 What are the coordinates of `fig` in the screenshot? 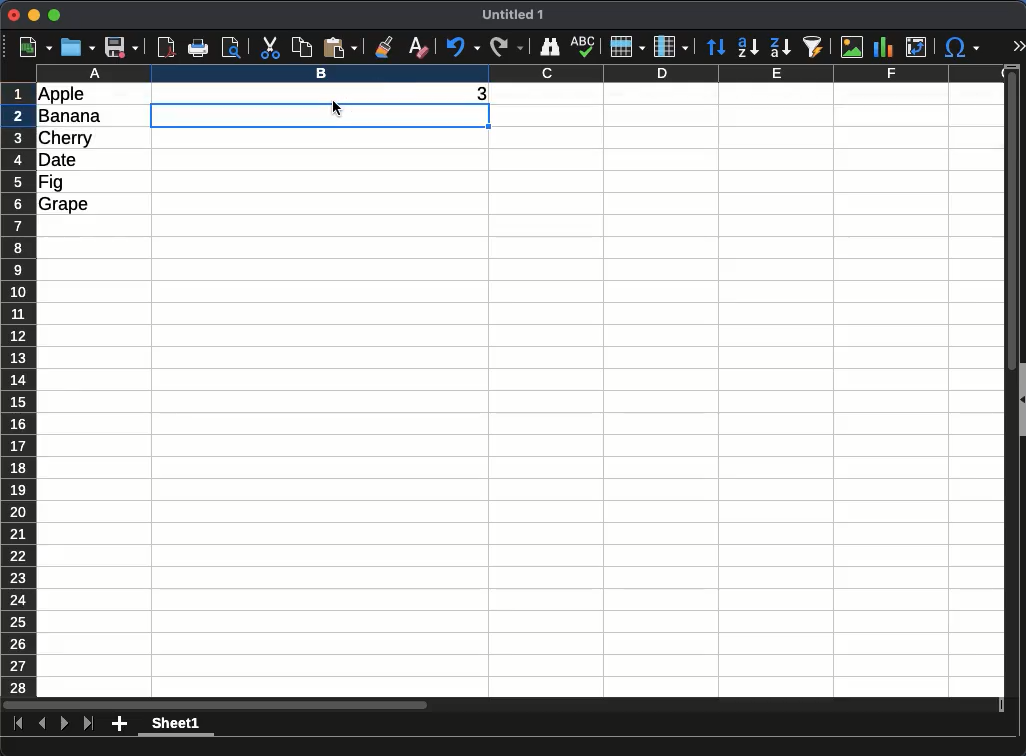 It's located at (51, 183).